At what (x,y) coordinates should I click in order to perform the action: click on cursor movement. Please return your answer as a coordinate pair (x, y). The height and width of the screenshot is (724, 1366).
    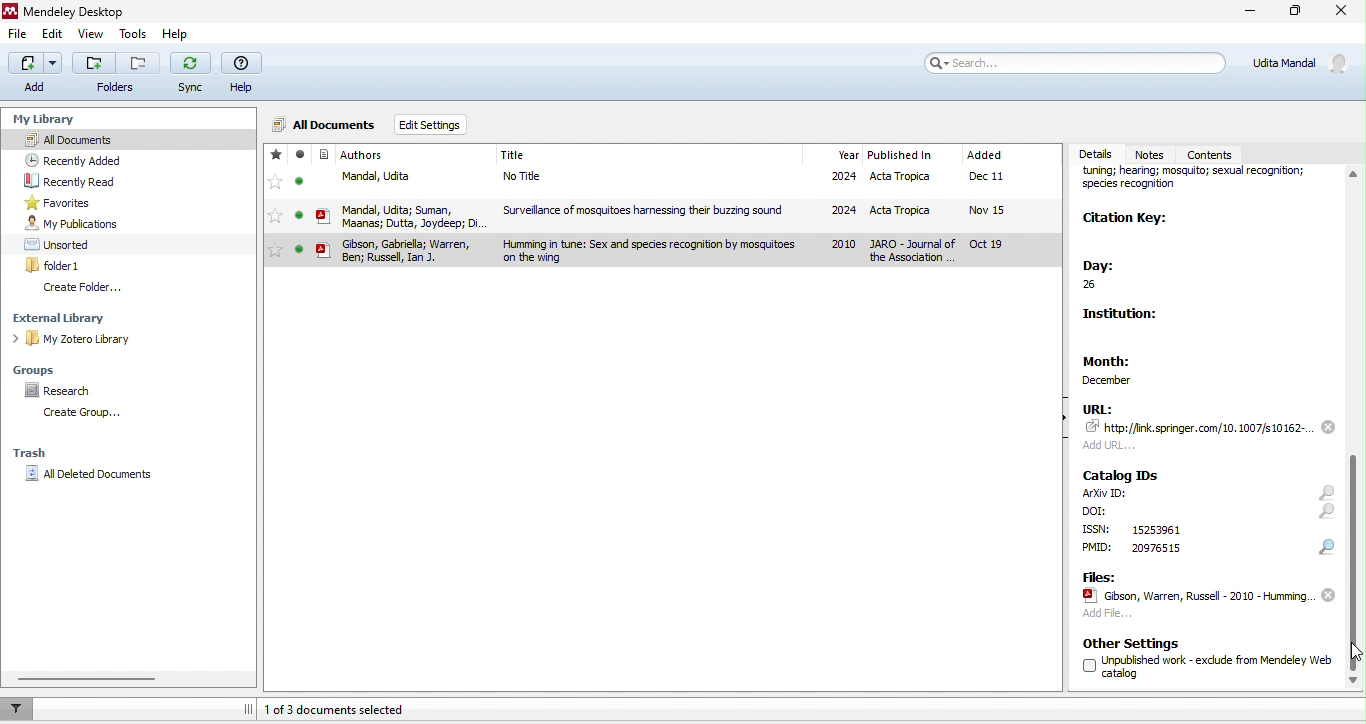
    Looking at the image, I should click on (1355, 652).